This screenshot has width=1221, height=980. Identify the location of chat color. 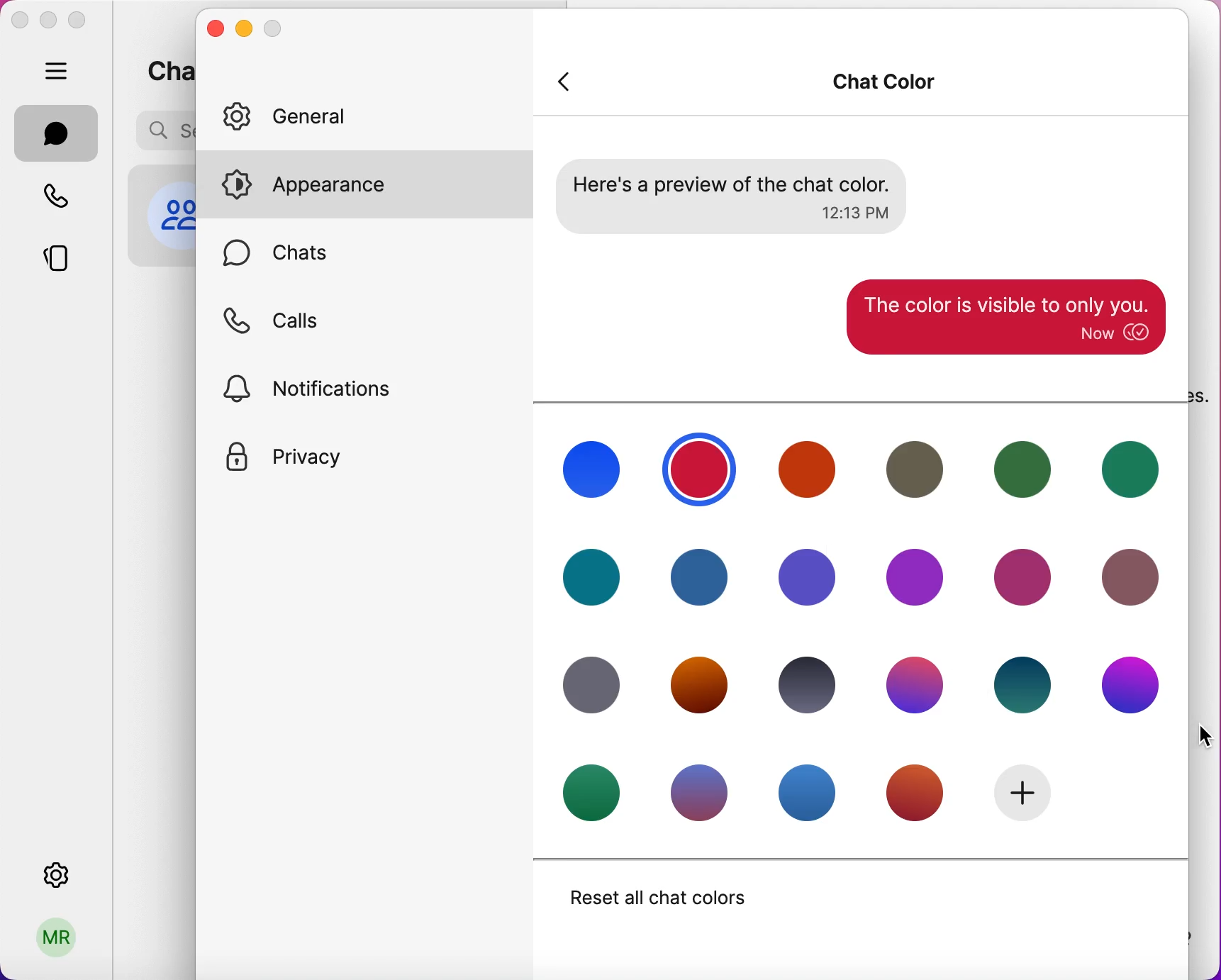
(971, 467).